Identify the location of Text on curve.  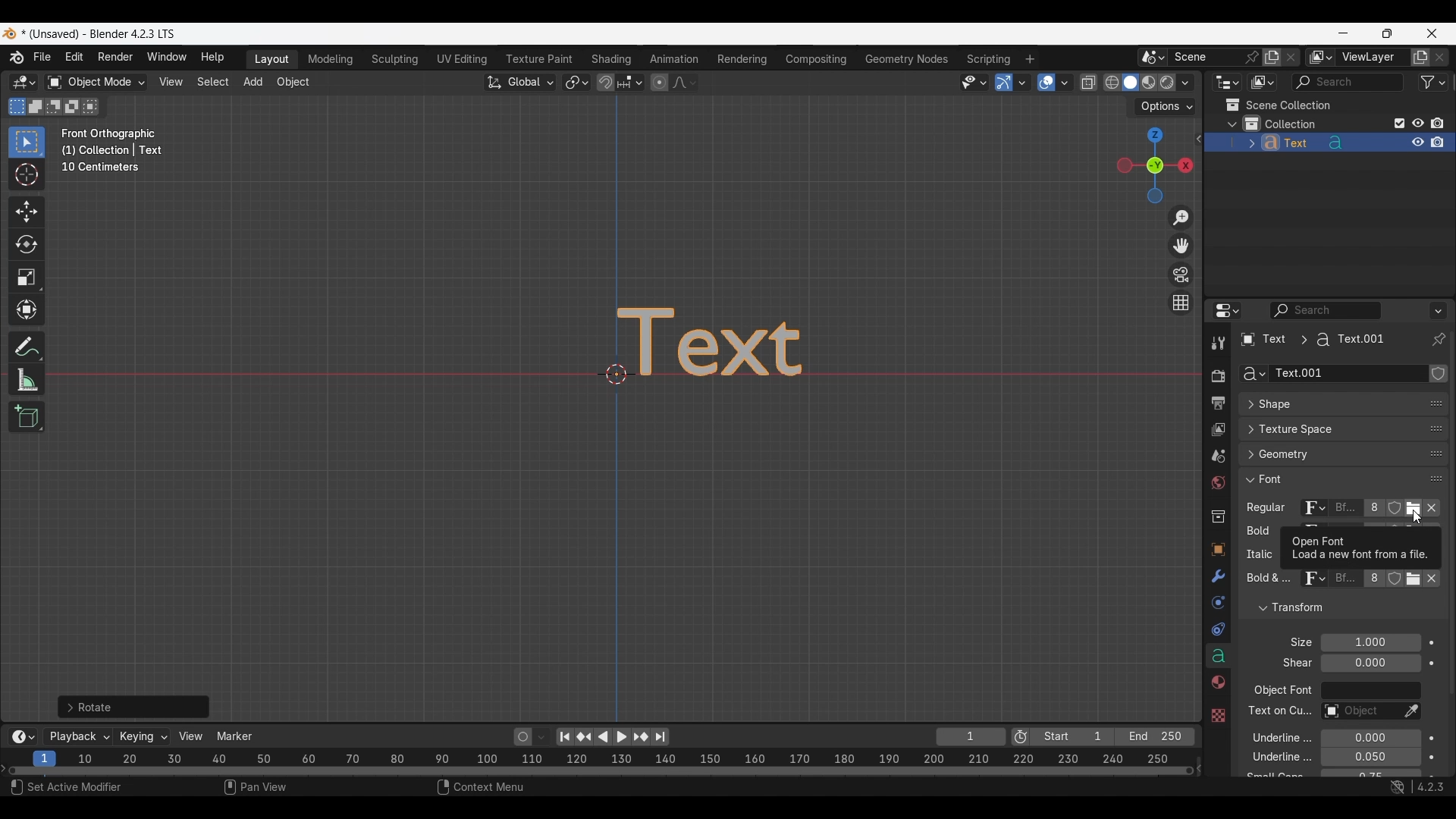
(1359, 712).